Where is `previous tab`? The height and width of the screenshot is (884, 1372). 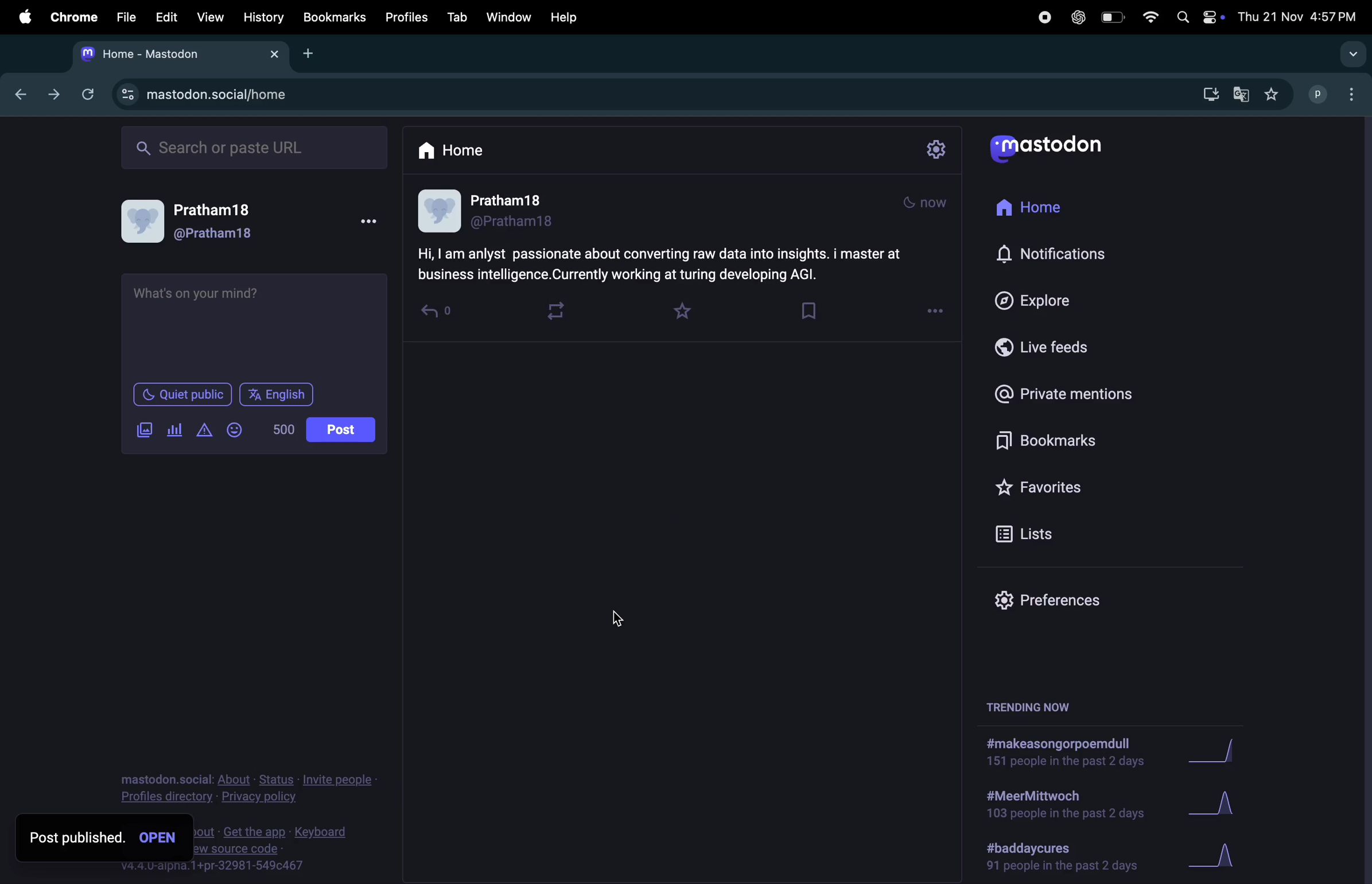
previous tab is located at coordinates (24, 94).